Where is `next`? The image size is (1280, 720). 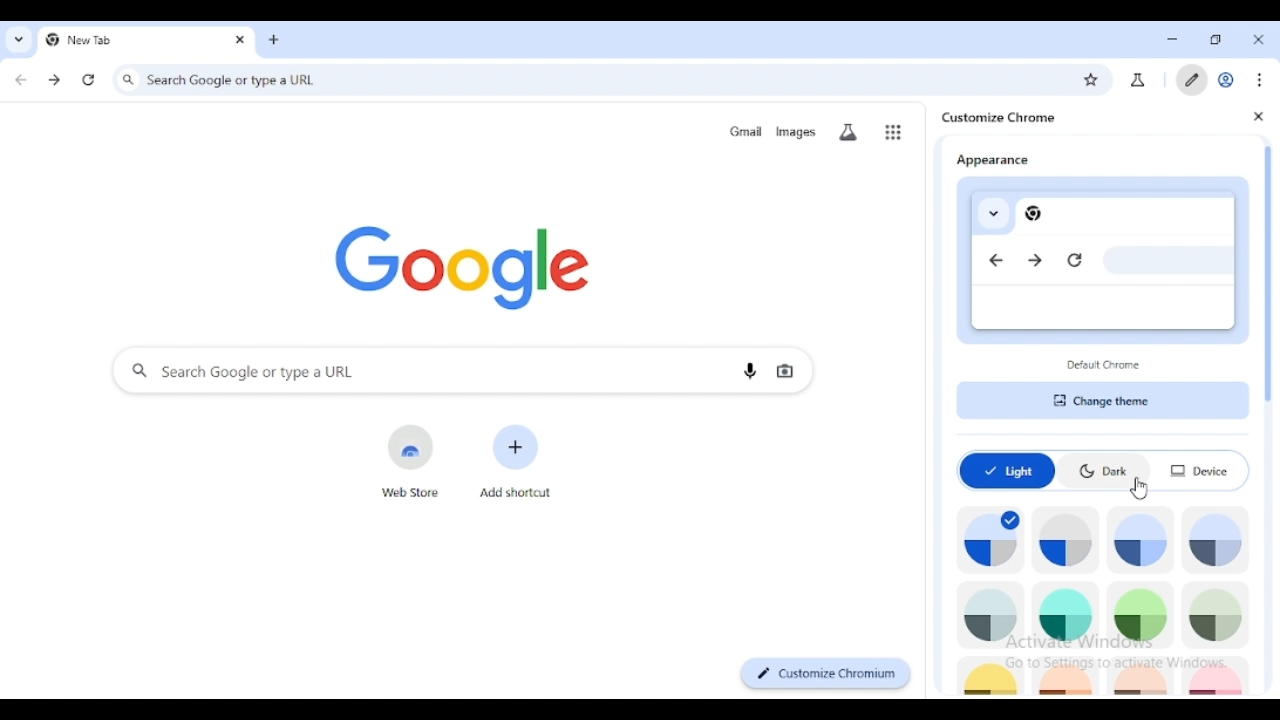 next is located at coordinates (1036, 263).